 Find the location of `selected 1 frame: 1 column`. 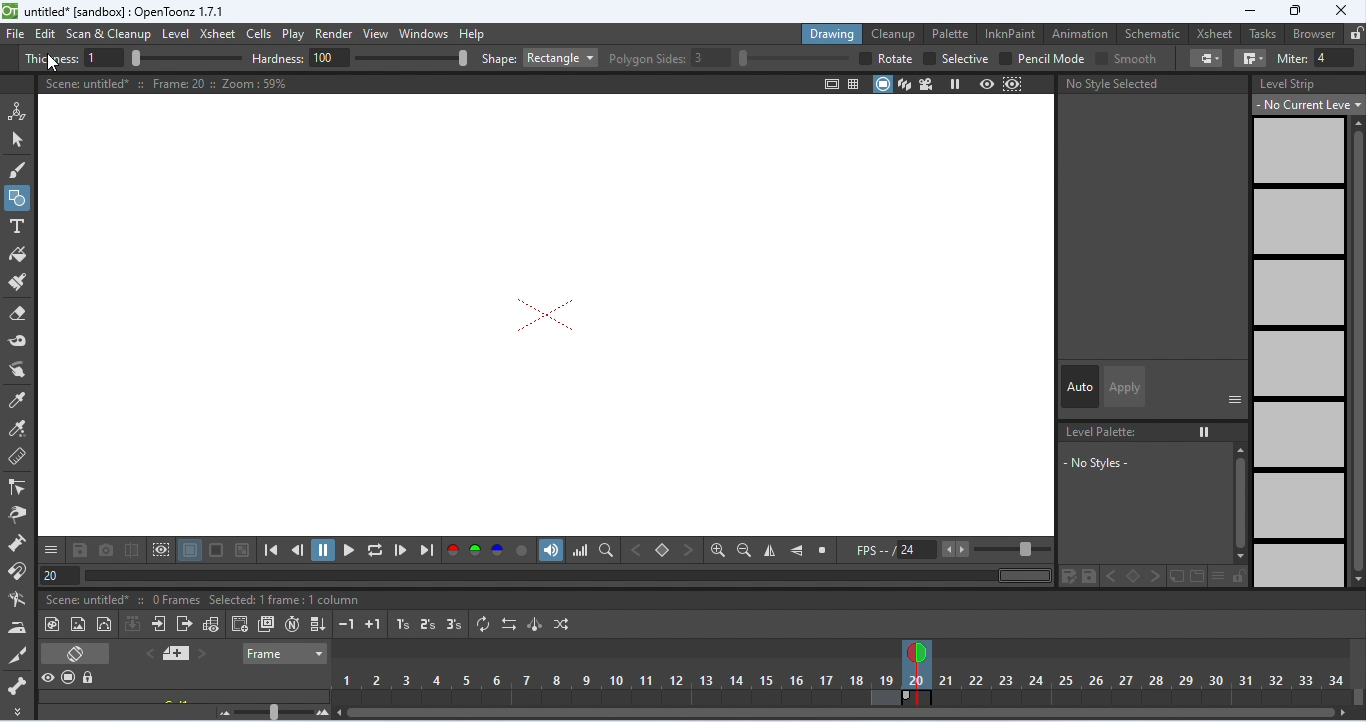

selected 1 frame: 1 column is located at coordinates (339, 599).